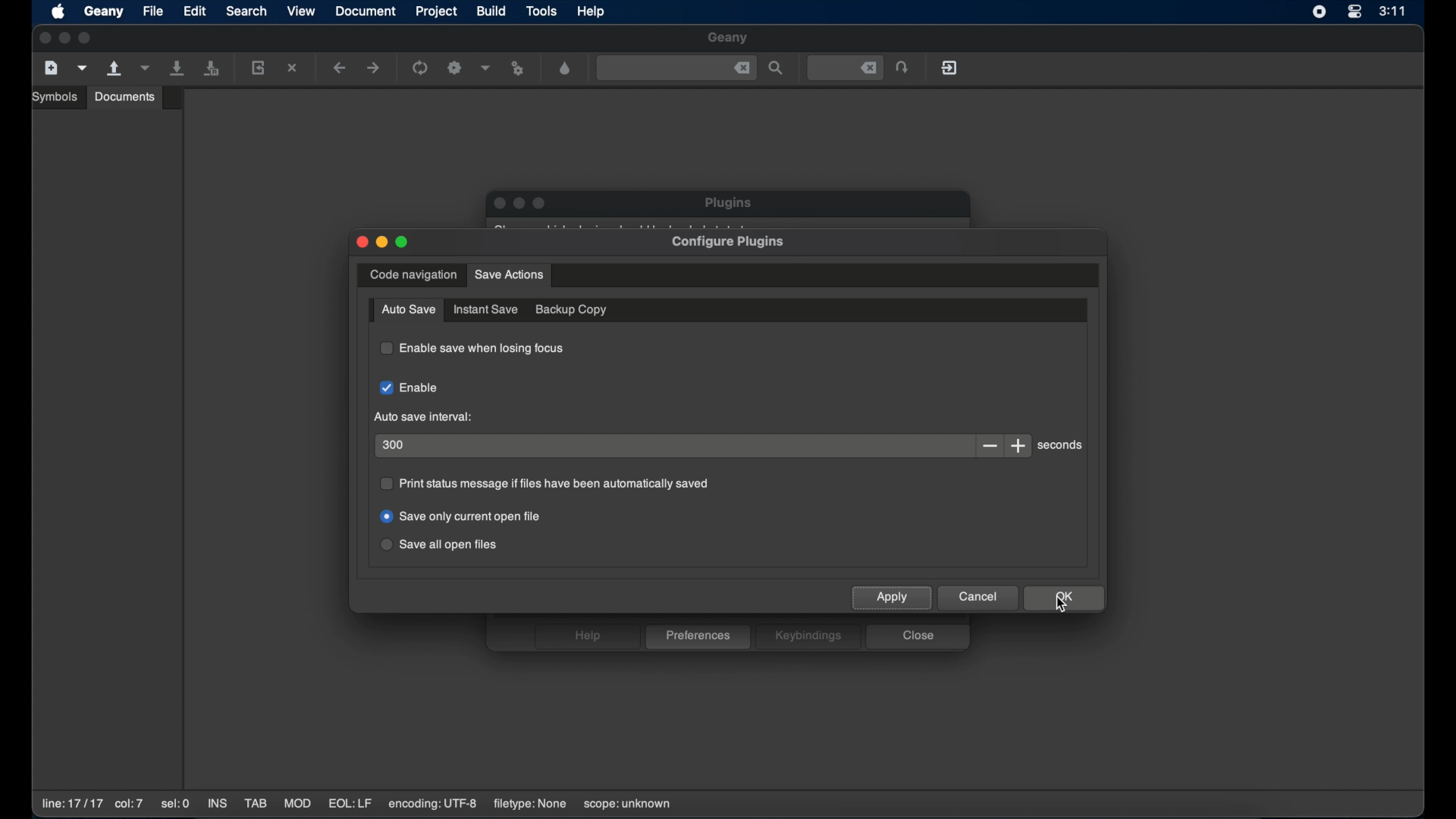  I want to click on configure  plugins, so click(730, 243).